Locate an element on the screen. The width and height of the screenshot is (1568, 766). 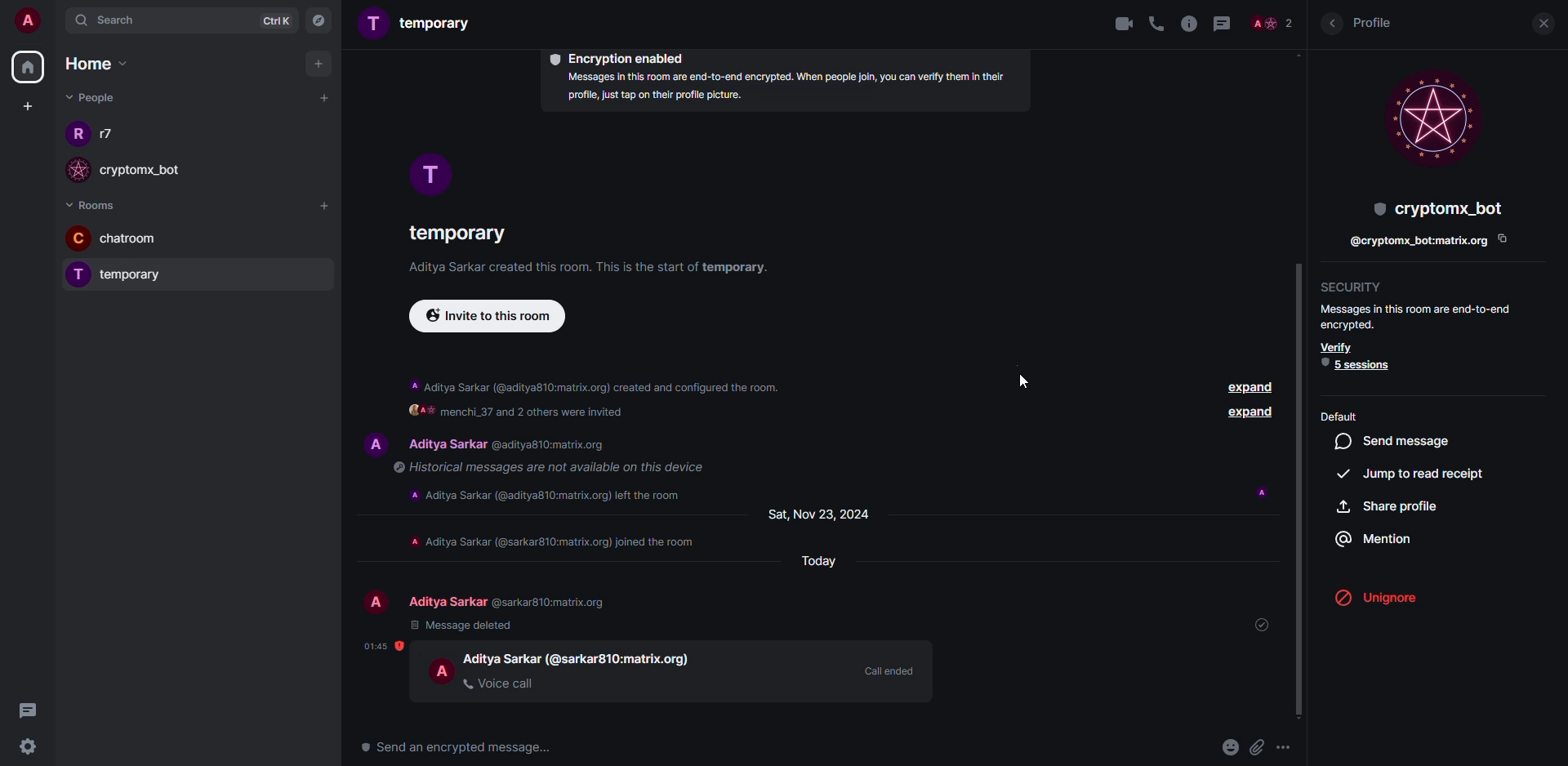
more is located at coordinates (1290, 746).